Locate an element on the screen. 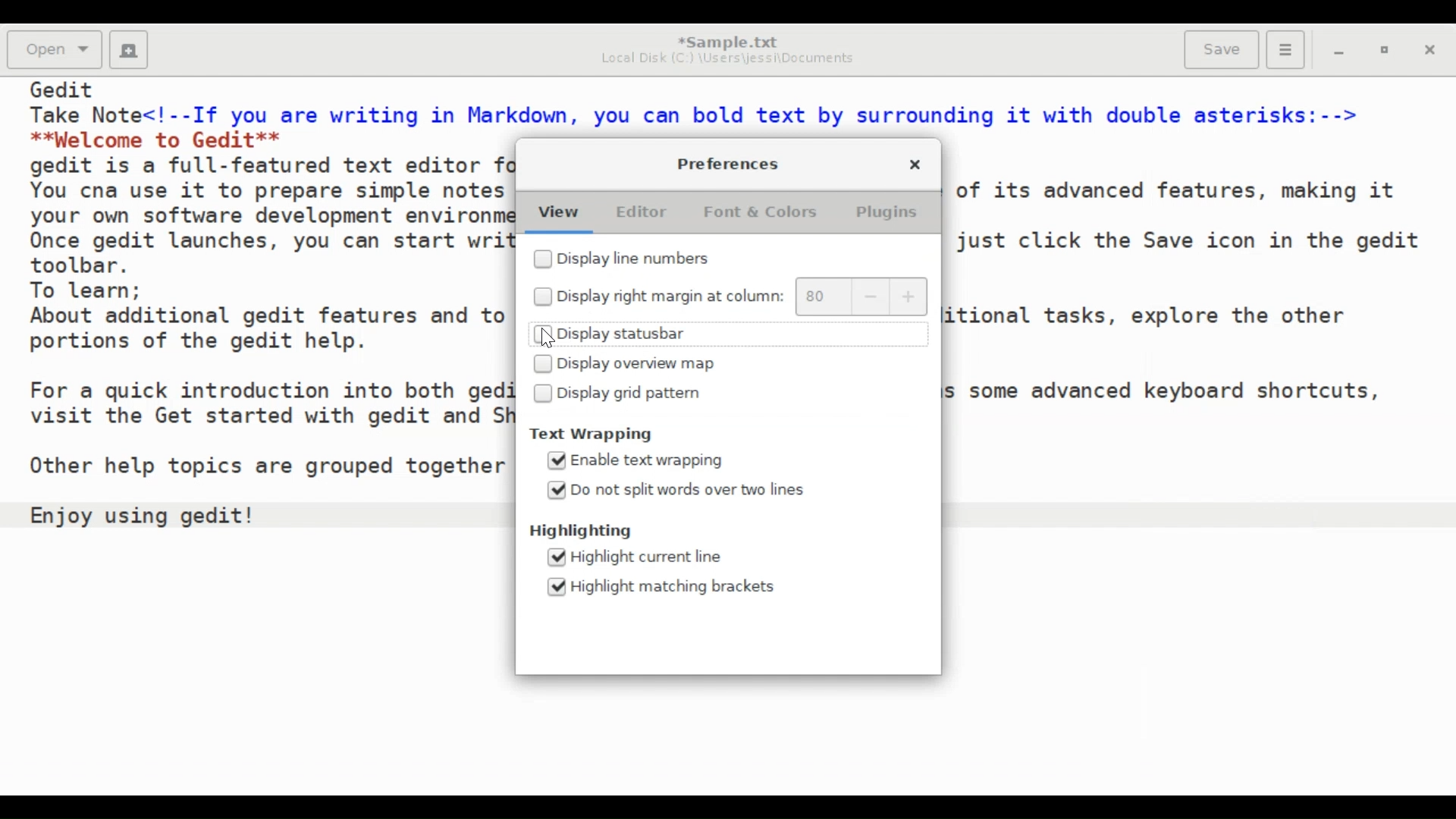 The image size is (1456, 819). Plugins is located at coordinates (888, 211).